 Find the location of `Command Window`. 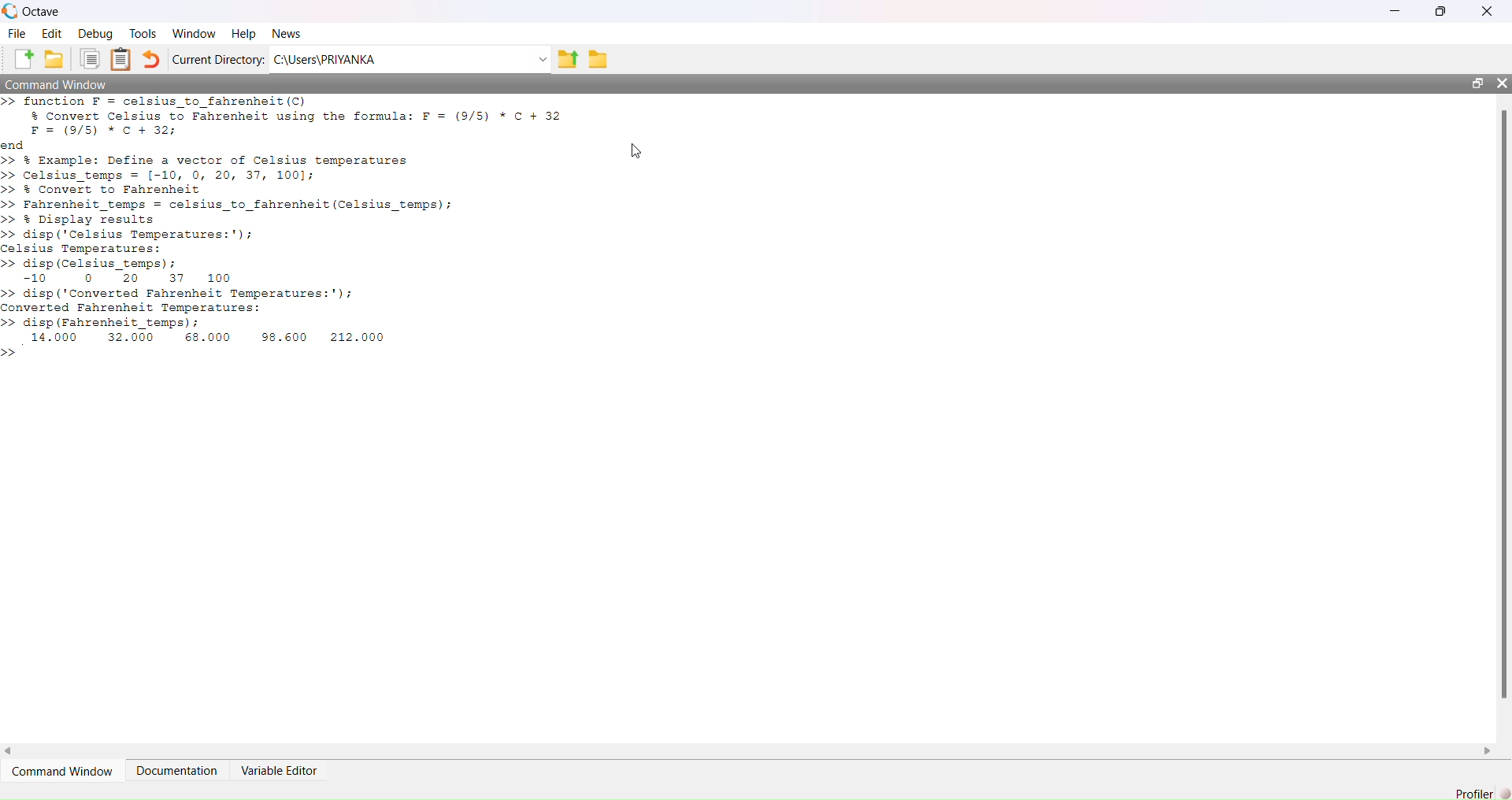

Command Window is located at coordinates (61, 771).